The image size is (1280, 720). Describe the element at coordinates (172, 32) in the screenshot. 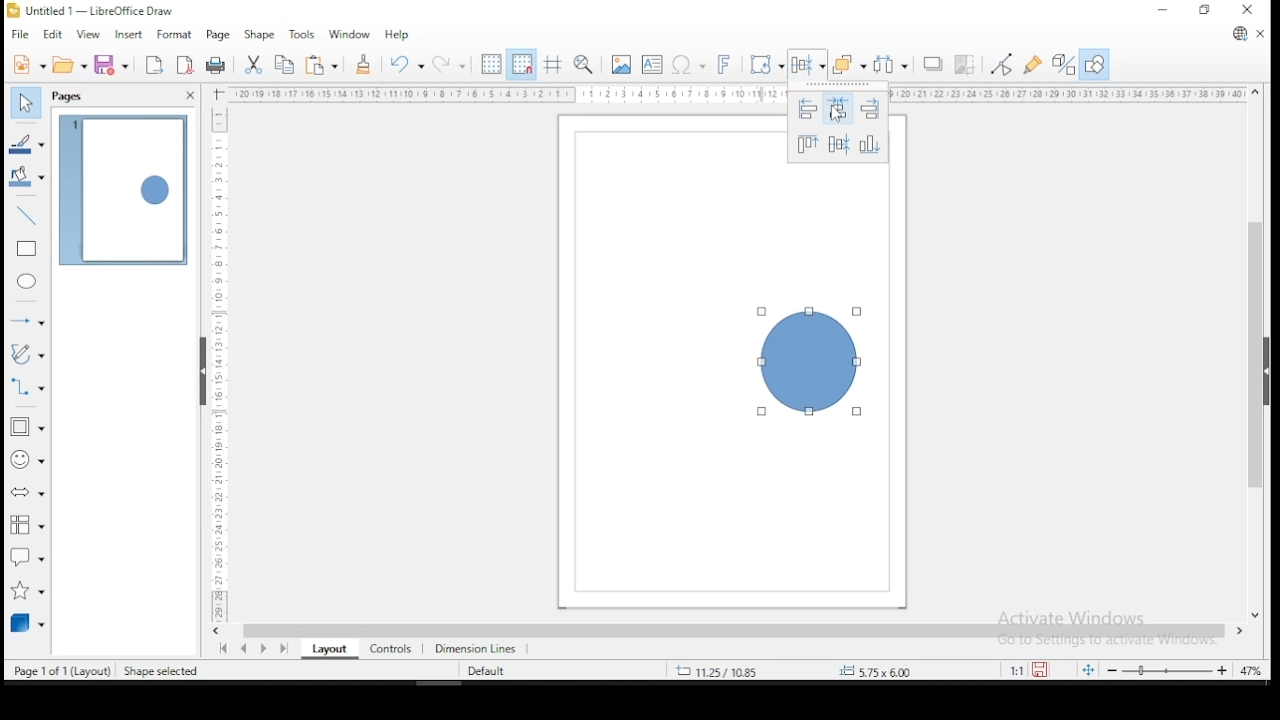

I see `format` at that location.